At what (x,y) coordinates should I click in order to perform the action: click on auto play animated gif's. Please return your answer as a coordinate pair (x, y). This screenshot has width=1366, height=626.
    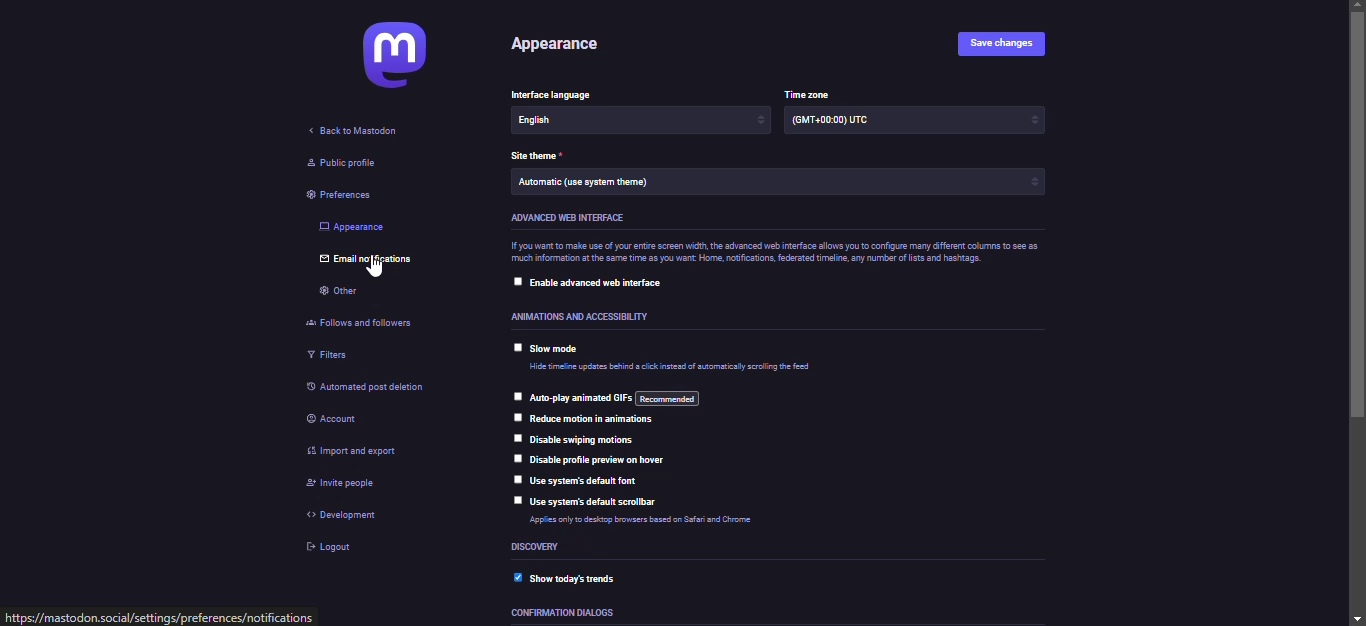
    Looking at the image, I should click on (623, 399).